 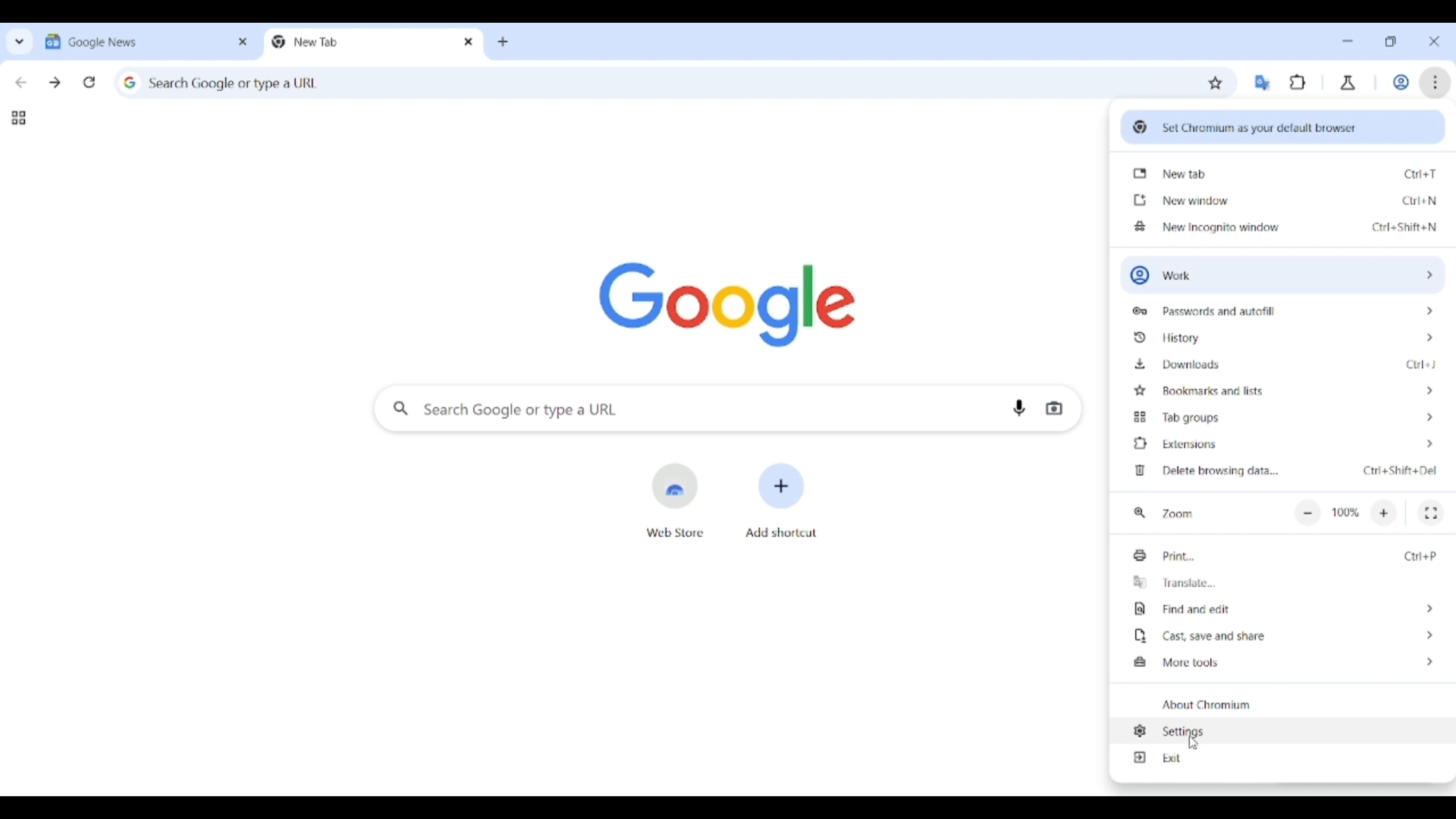 What do you see at coordinates (135, 41) in the screenshot?
I see `Tab 1` at bounding box center [135, 41].